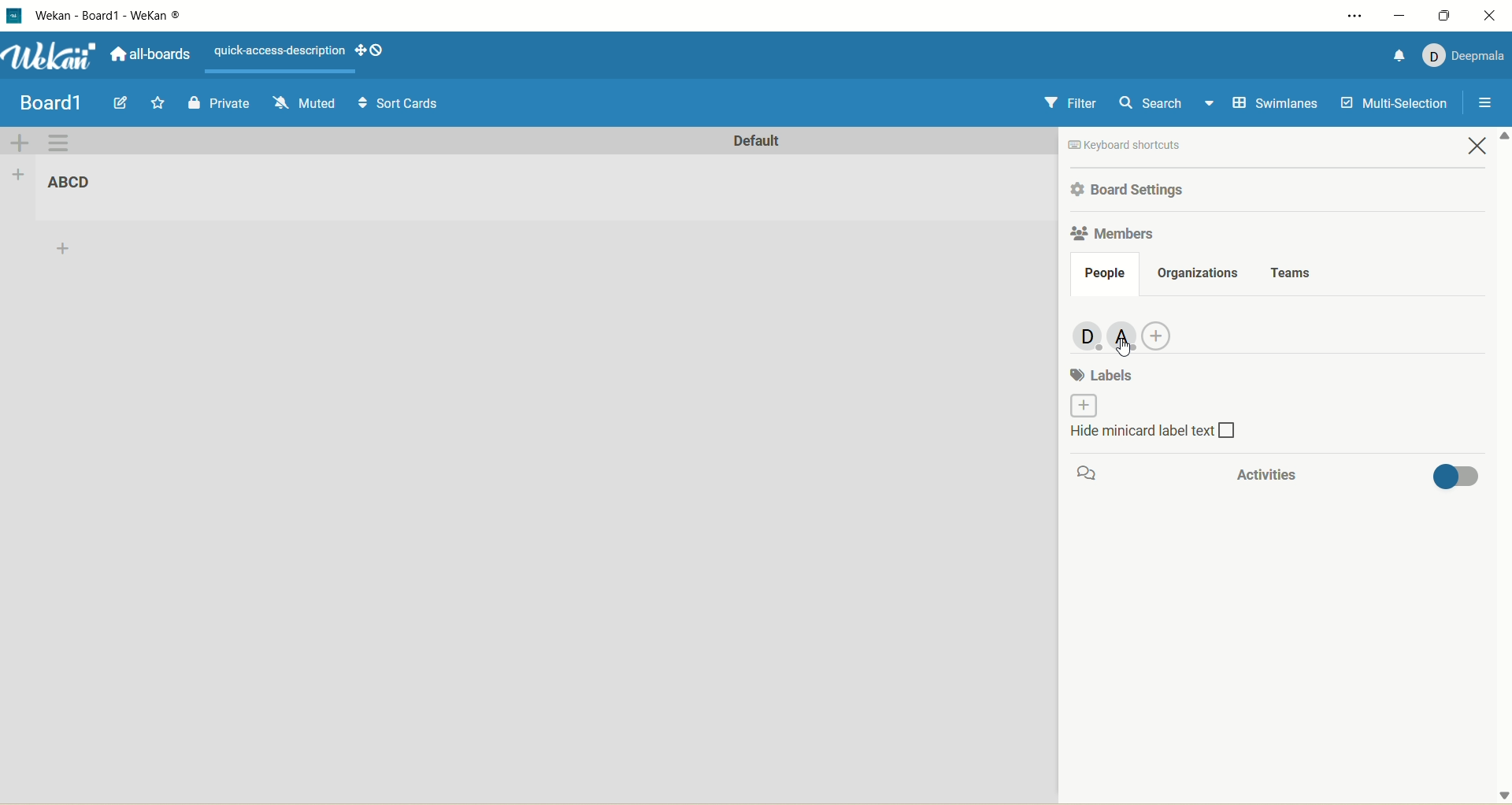  What do you see at coordinates (20, 142) in the screenshot?
I see `add swimlane` at bounding box center [20, 142].